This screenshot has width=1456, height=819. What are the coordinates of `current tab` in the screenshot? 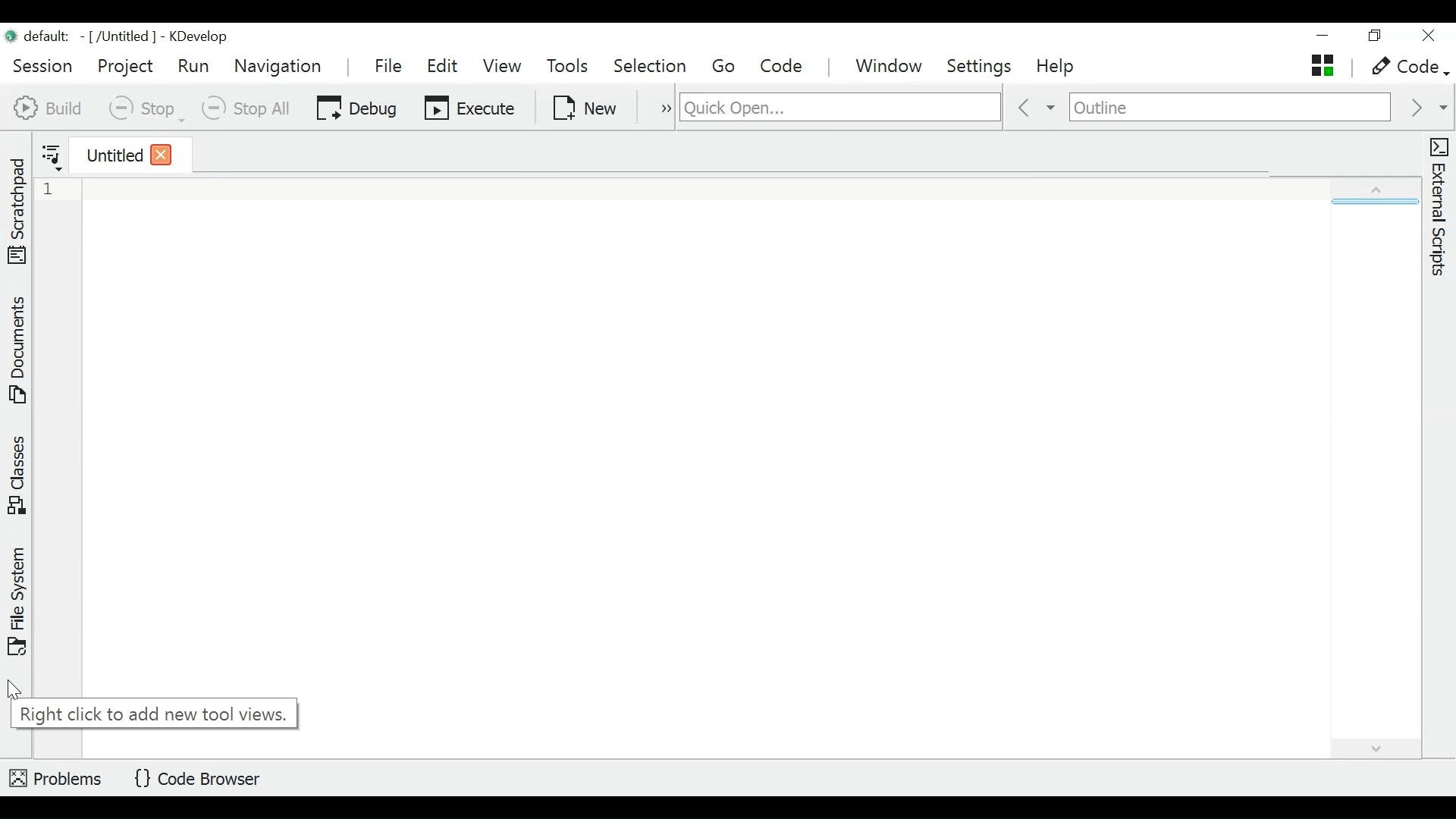 It's located at (108, 158).